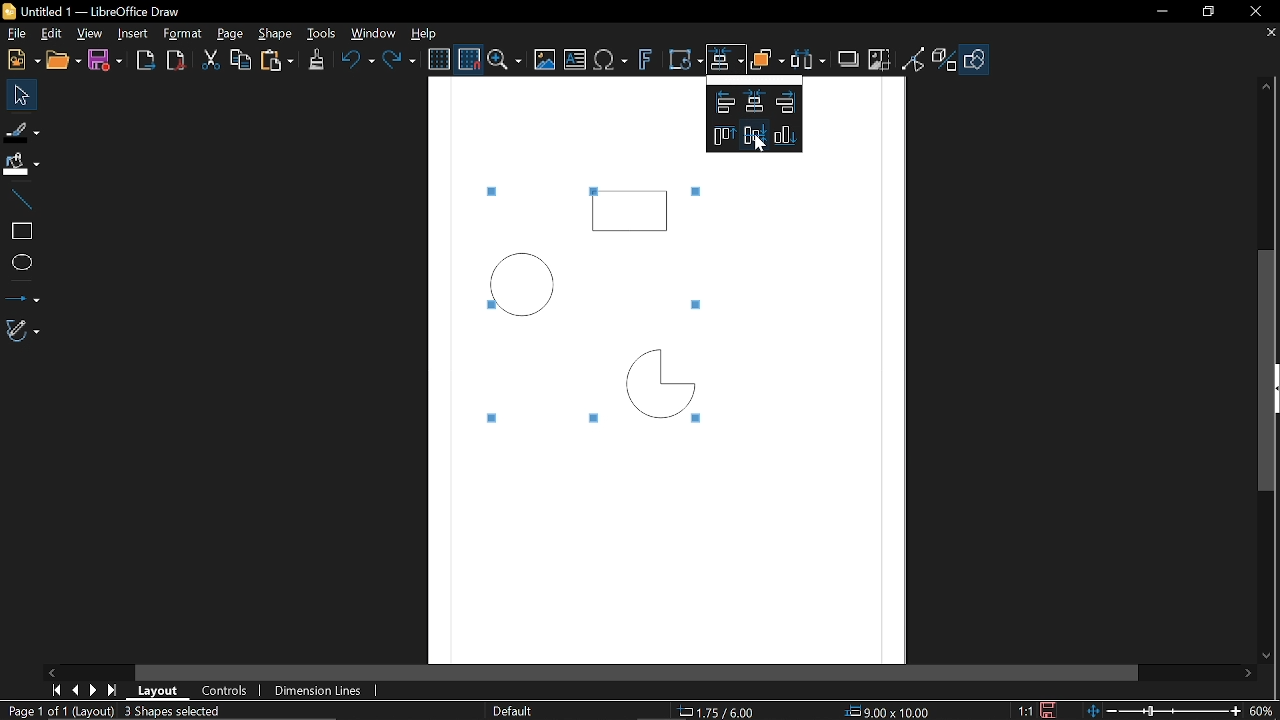 This screenshot has height=720, width=1280. I want to click on last page, so click(110, 690).